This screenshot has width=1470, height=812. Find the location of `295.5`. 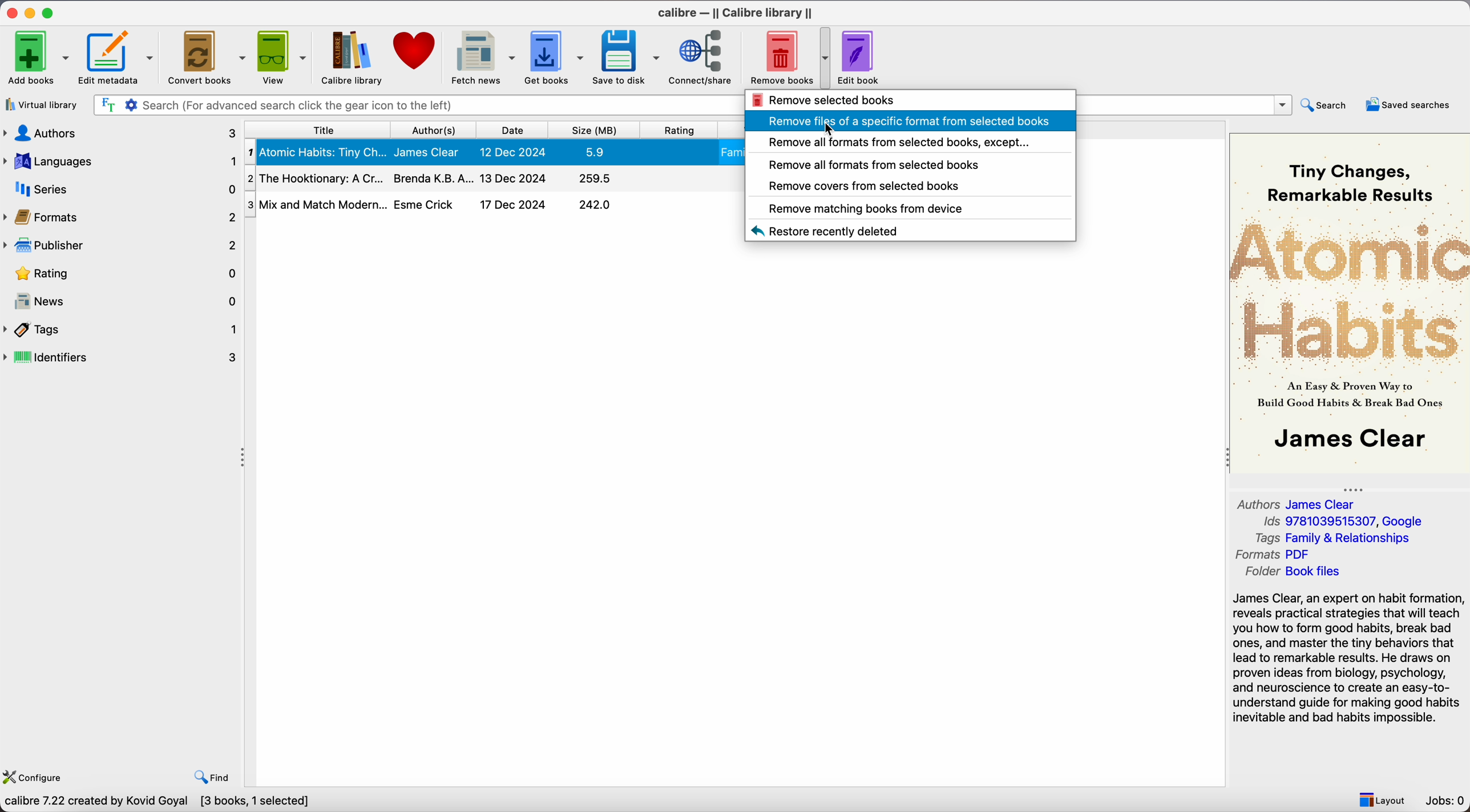

295.5 is located at coordinates (594, 179).